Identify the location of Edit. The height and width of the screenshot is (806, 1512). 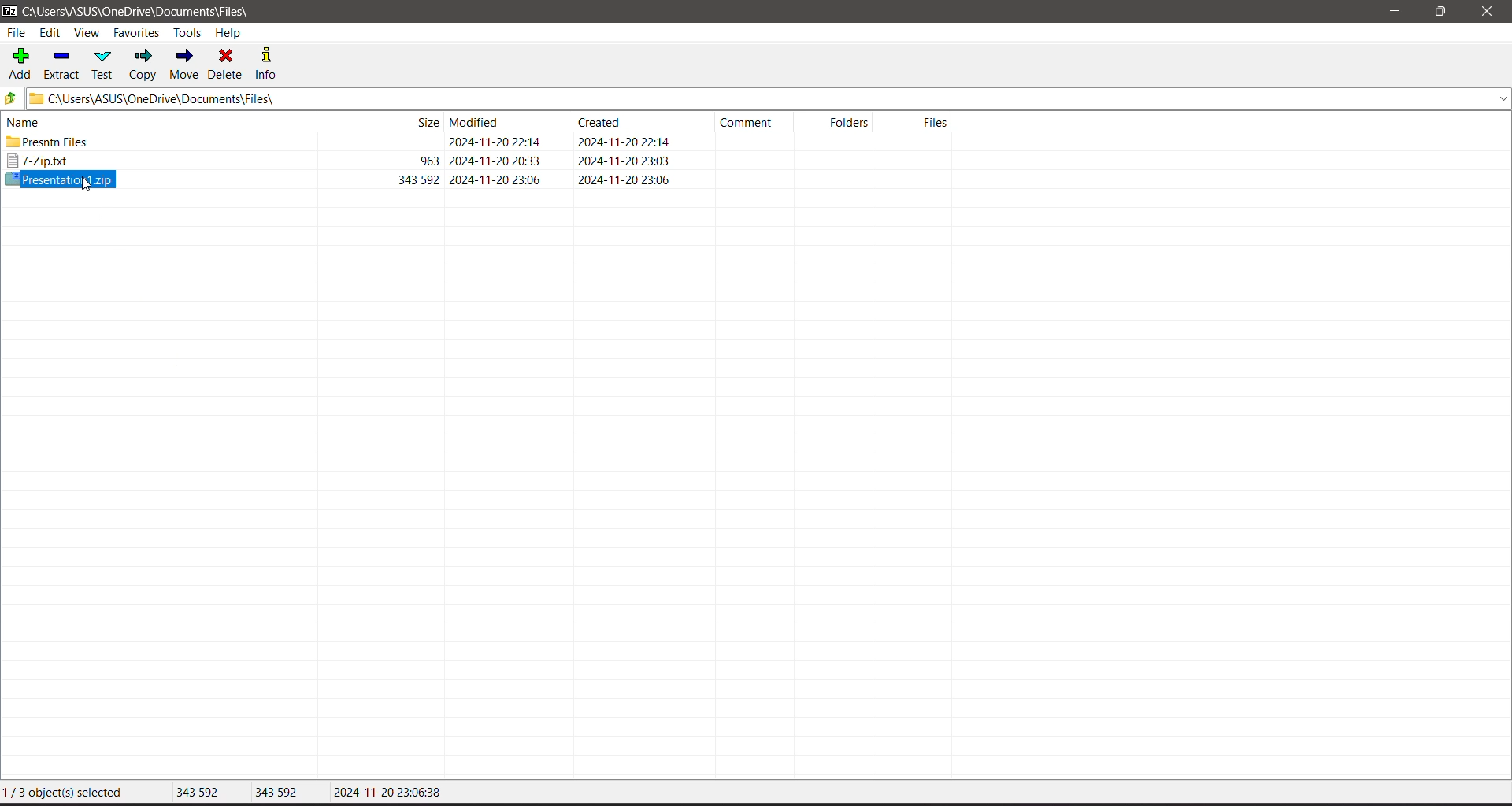
(52, 34).